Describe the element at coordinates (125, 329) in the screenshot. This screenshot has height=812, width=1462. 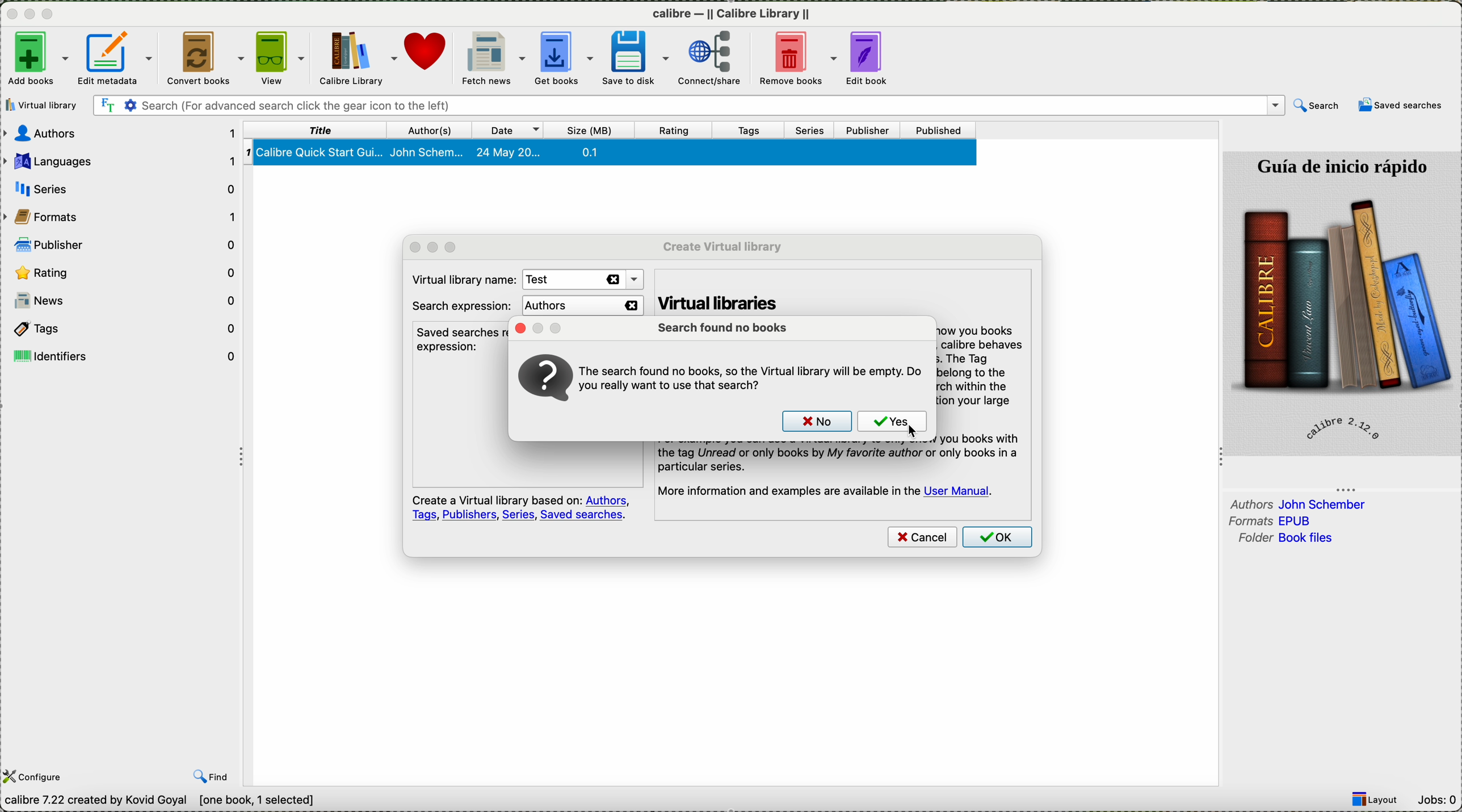
I see `tags` at that location.